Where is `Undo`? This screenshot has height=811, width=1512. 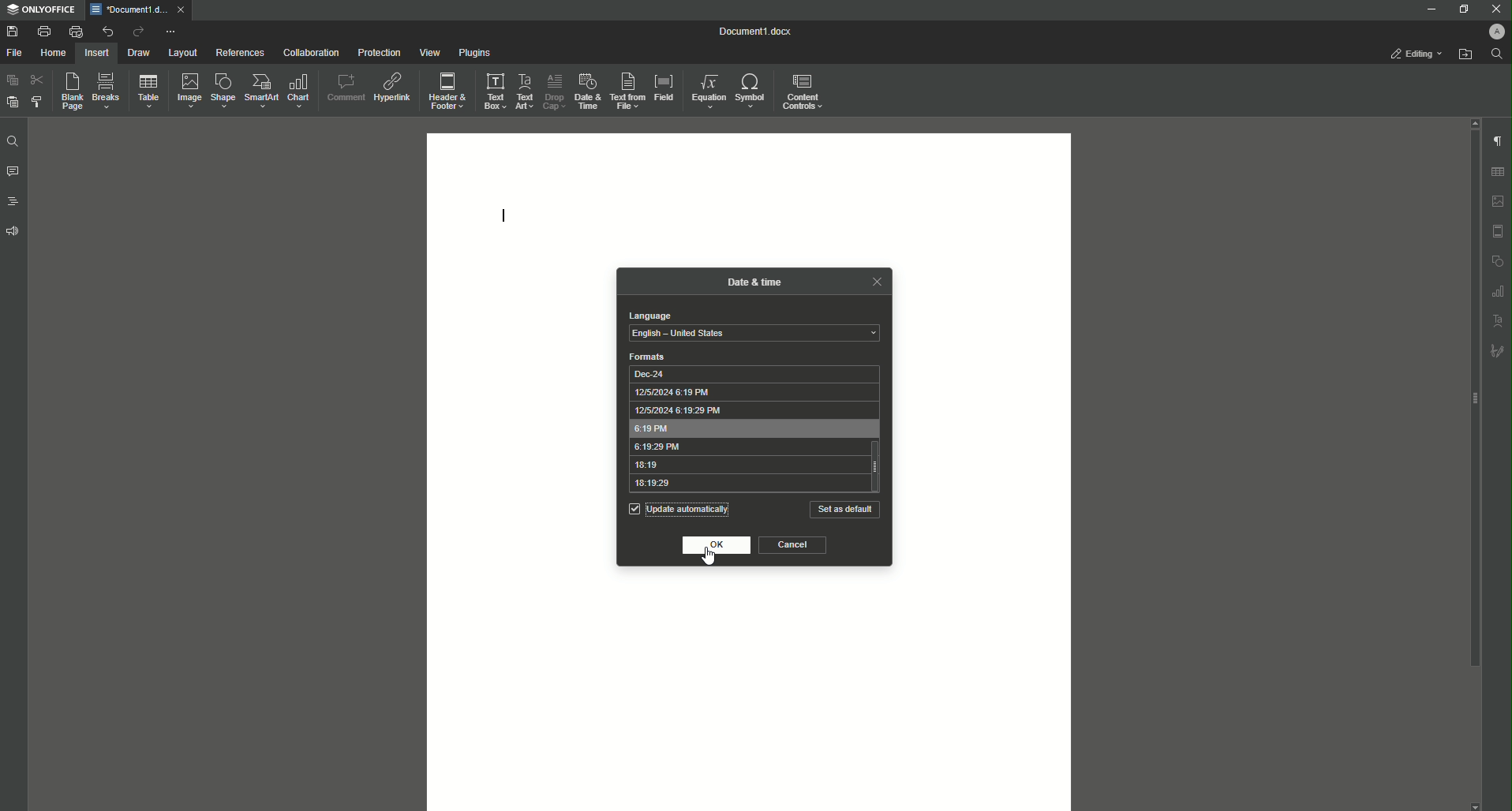 Undo is located at coordinates (106, 31).